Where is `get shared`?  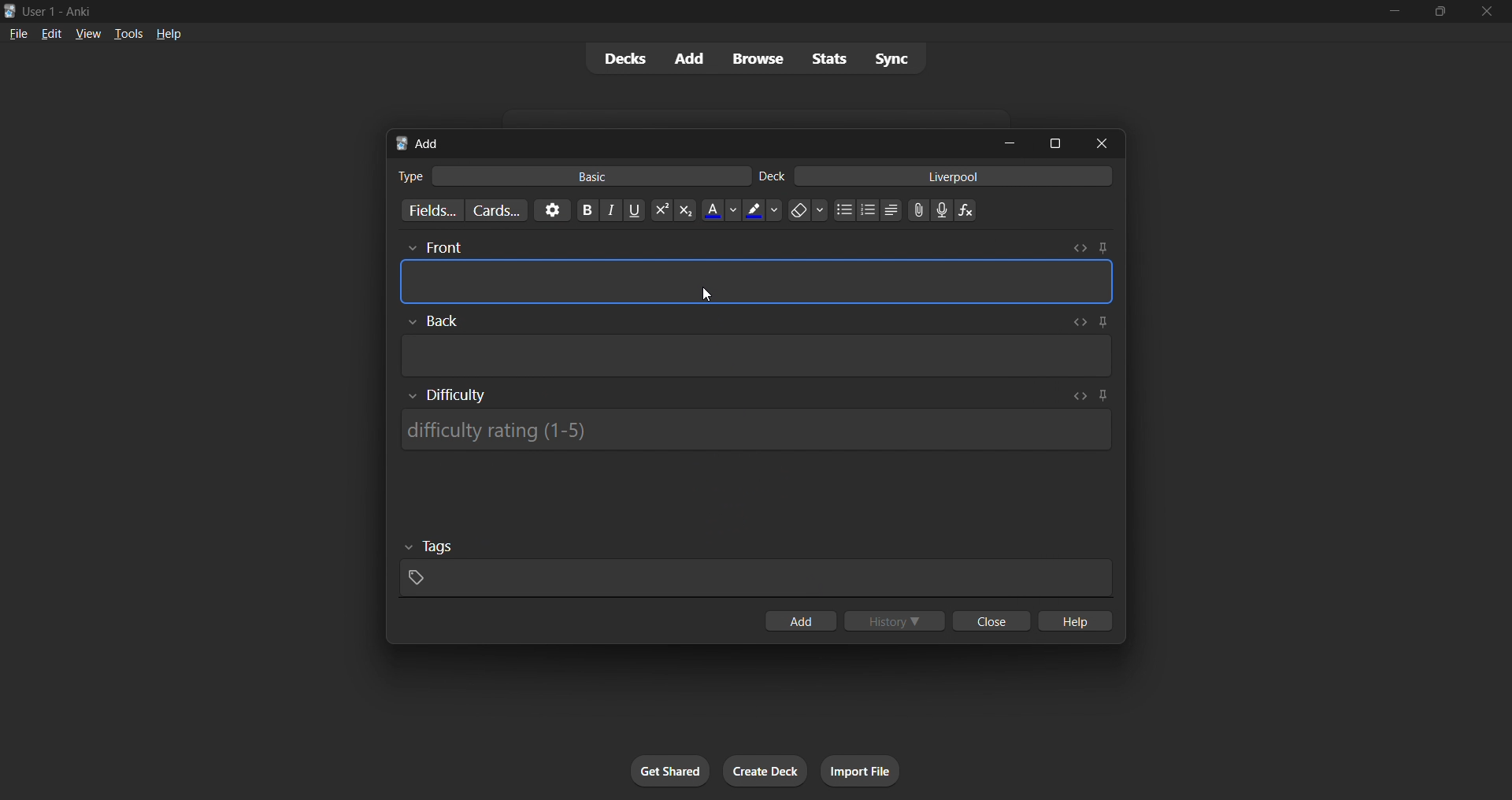
get shared is located at coordinates (670, 771).